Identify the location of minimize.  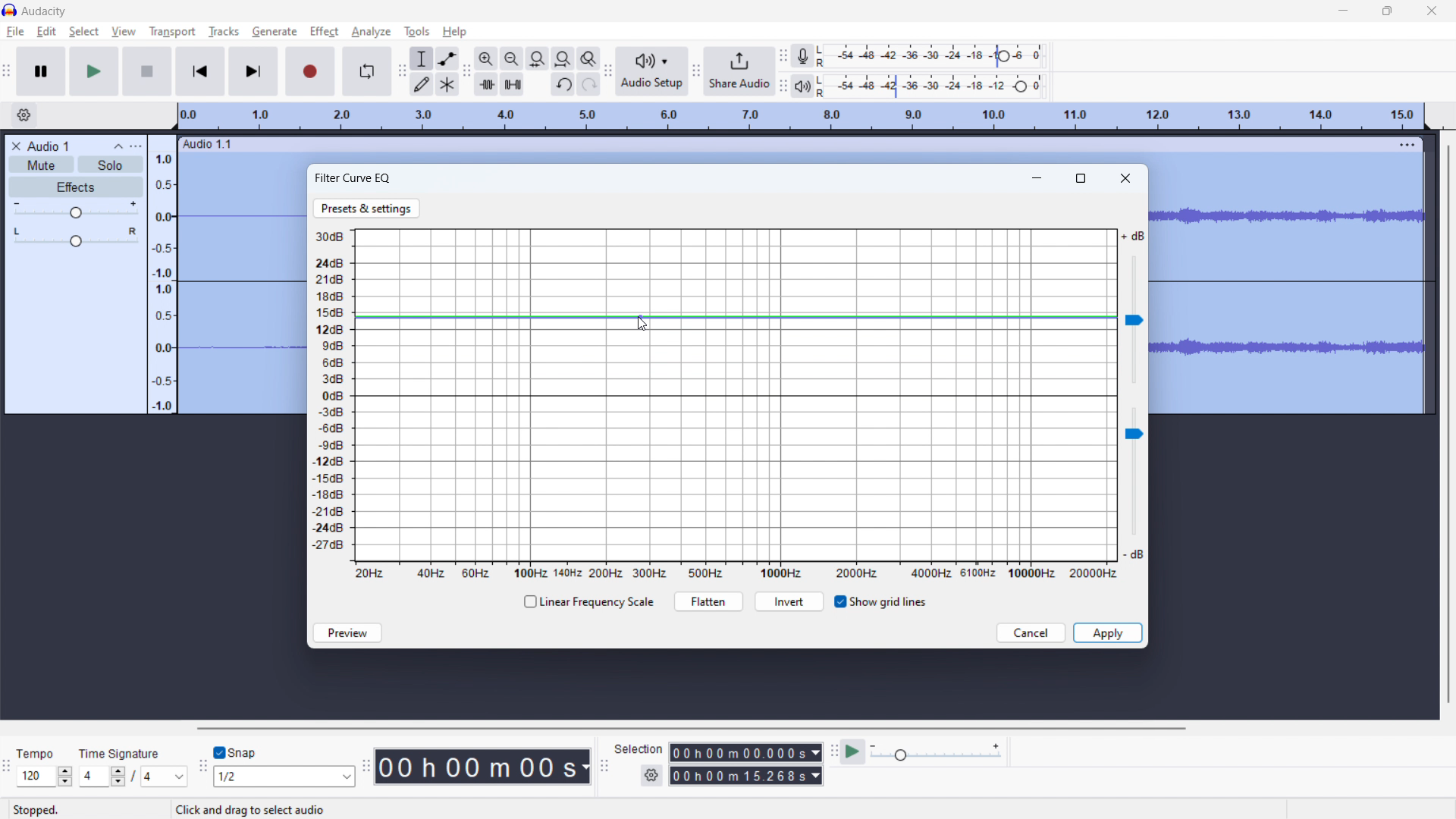
(1344, 10).